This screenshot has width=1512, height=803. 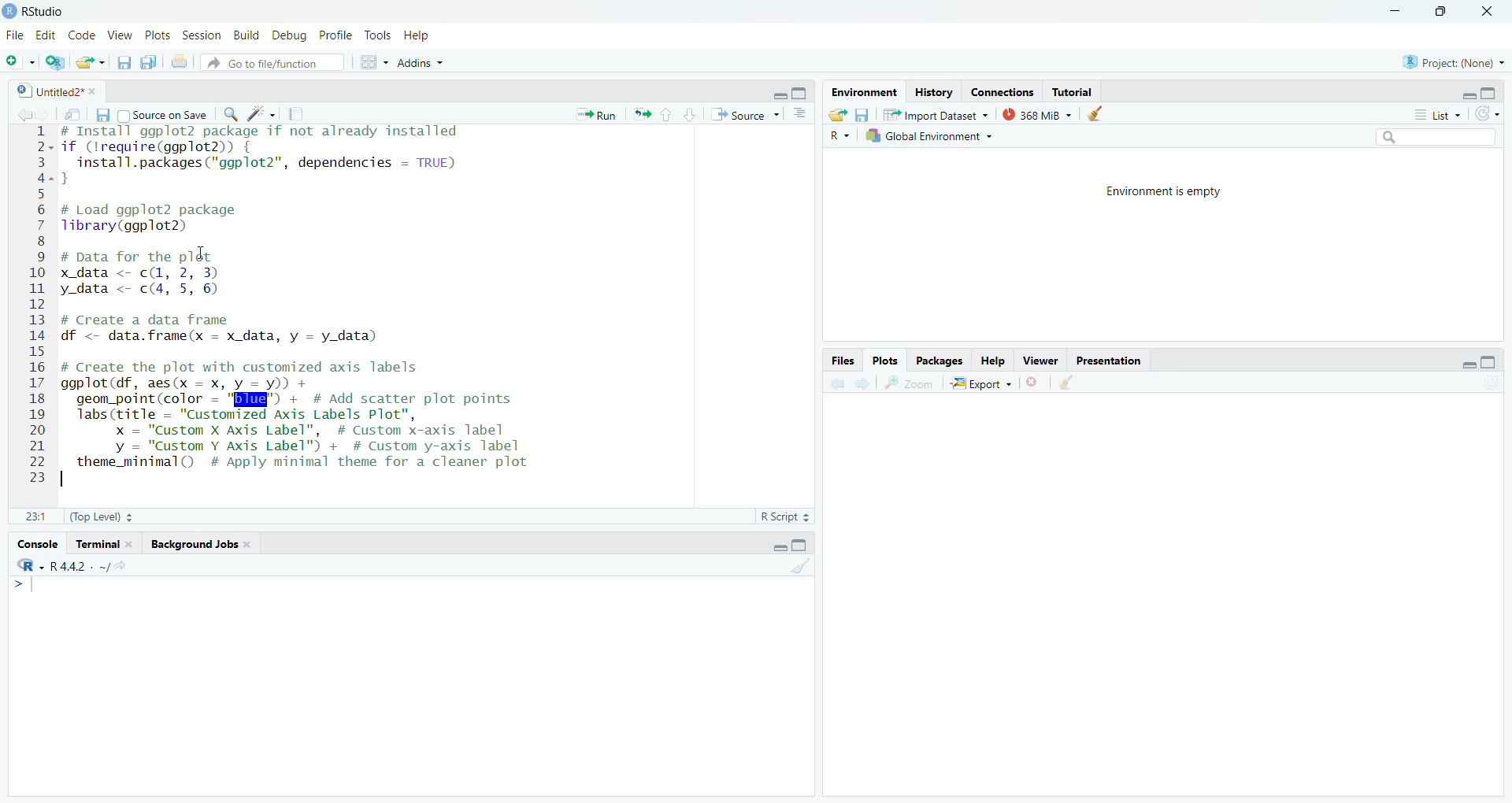 What do you see at coordinates (646, 117) in the screenshot?
I see `export` at bounding box center [646, 117].